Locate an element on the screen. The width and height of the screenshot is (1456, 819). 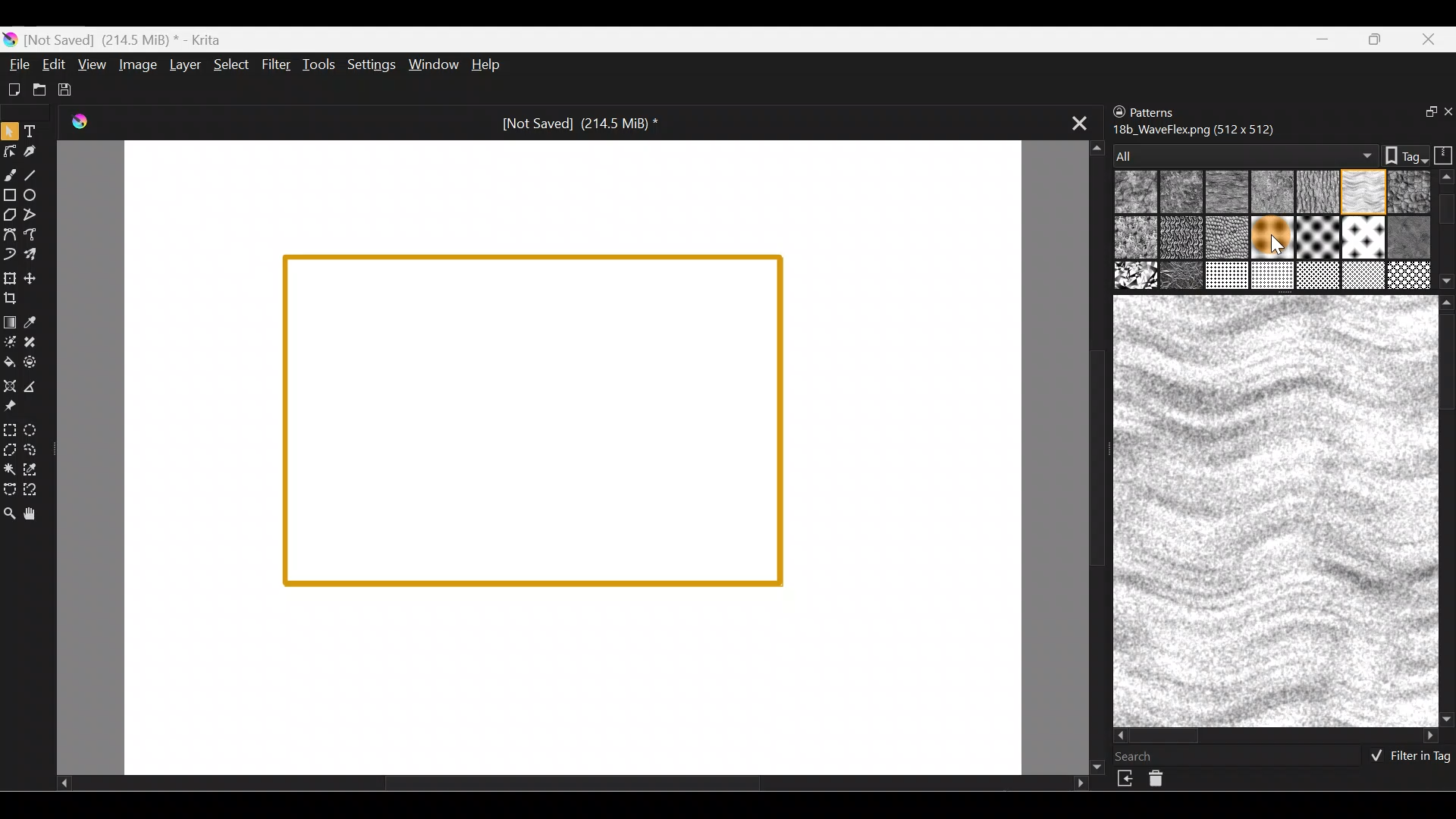
Patterns is located at coordinates (1164, 111).